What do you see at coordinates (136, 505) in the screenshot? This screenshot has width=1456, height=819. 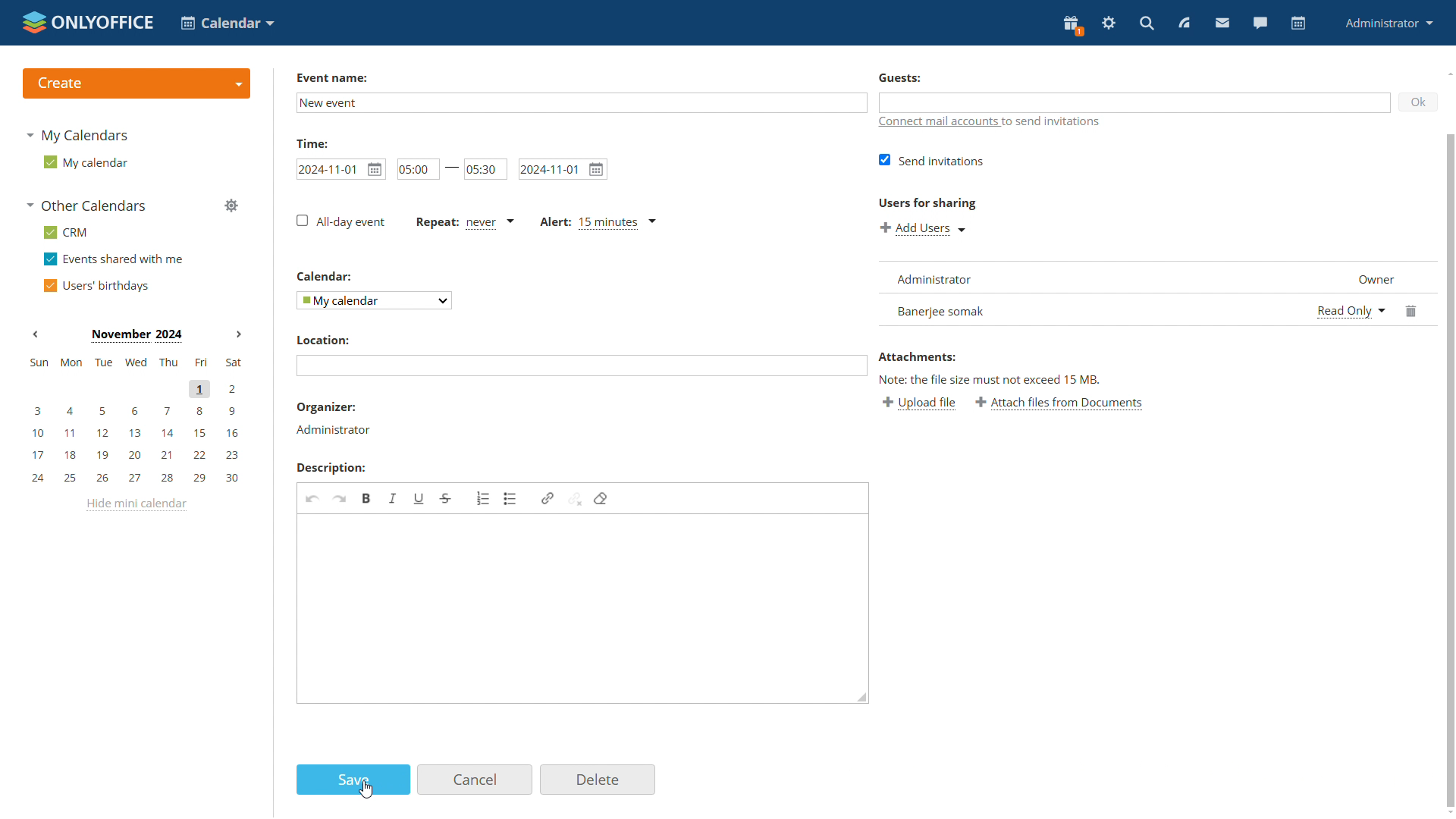 I see `hide mini calendar` at bounding box center [136, 505].